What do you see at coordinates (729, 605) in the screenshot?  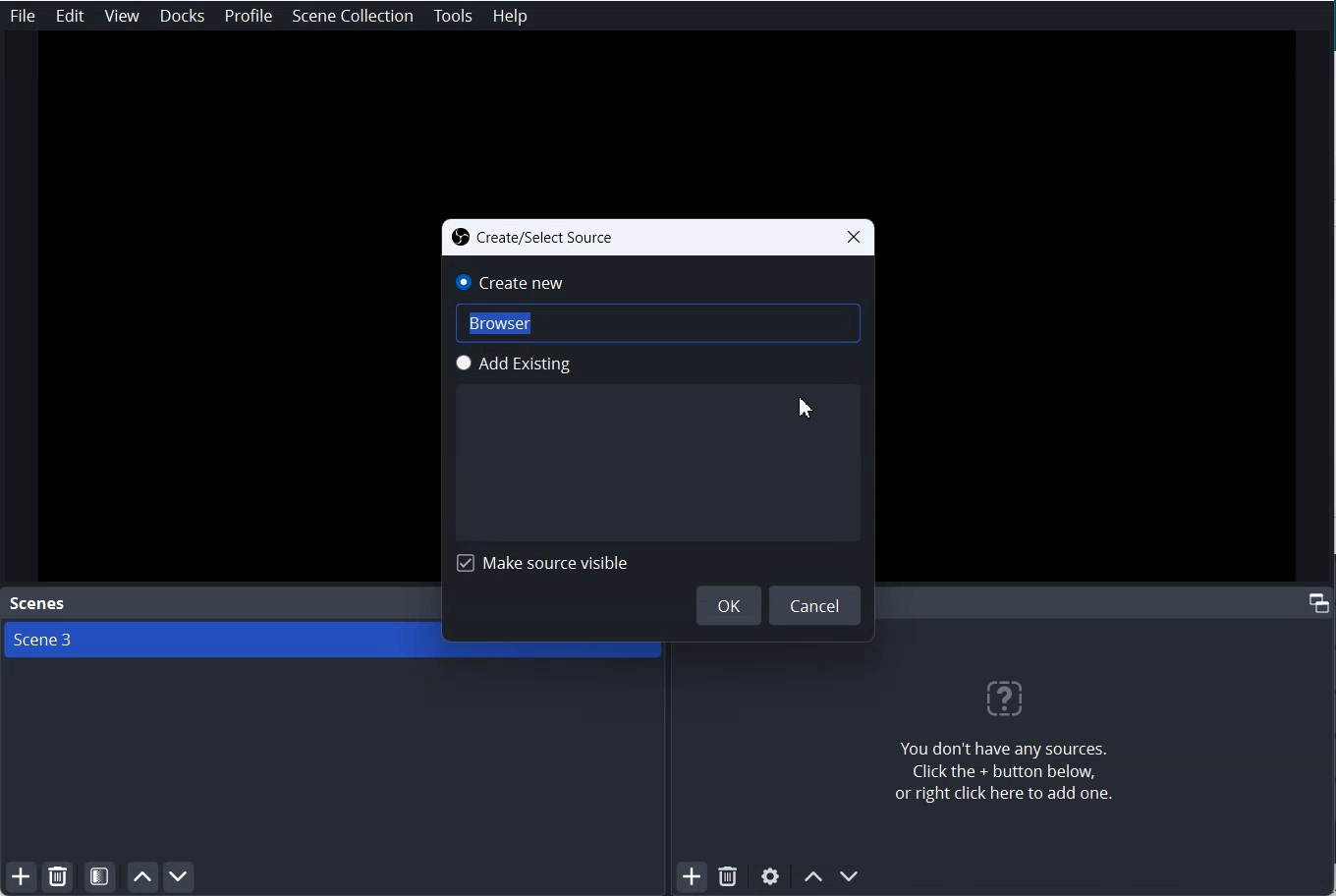 I see `OK` at bounding box center [729, 605].